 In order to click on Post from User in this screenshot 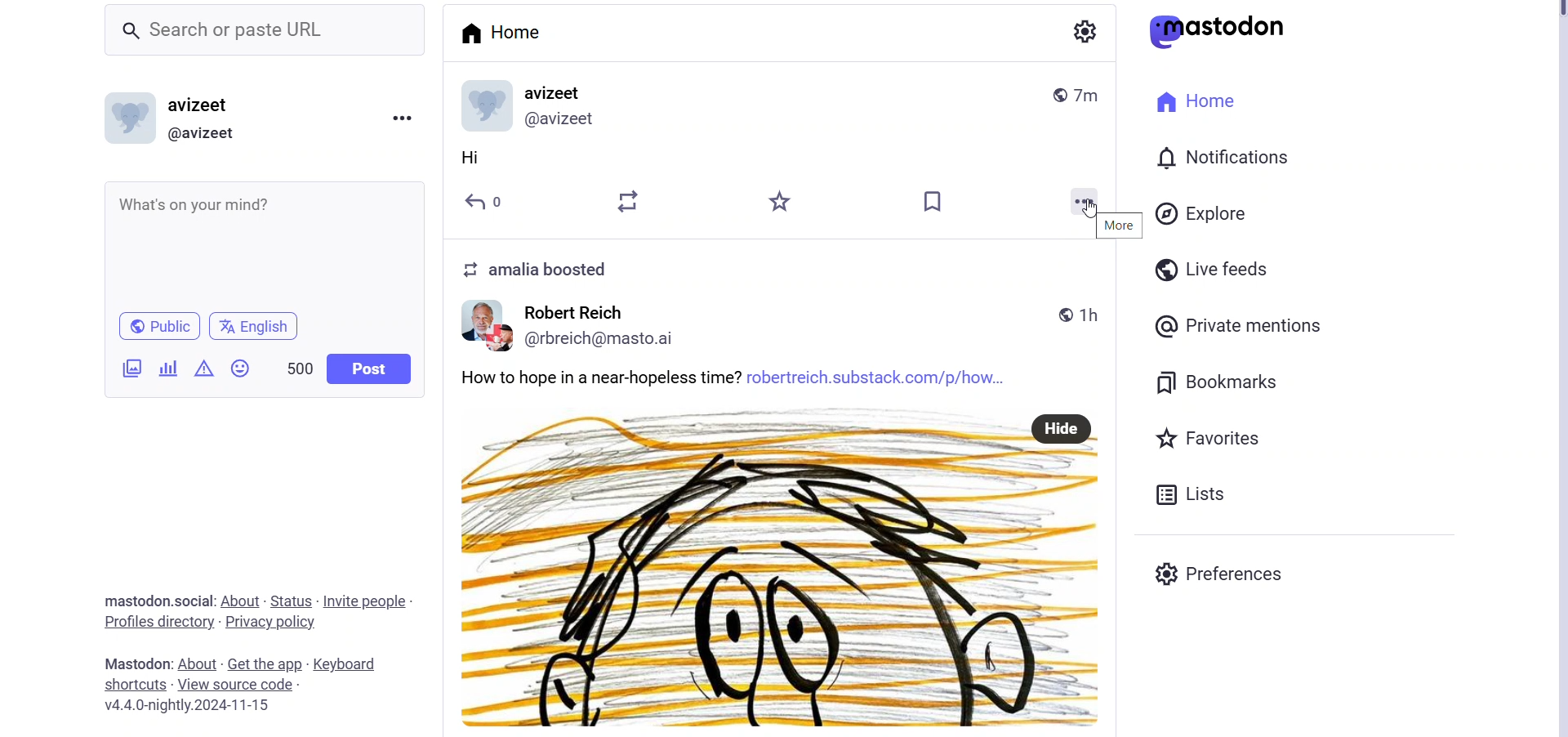, I will do `click(786, 552)`.